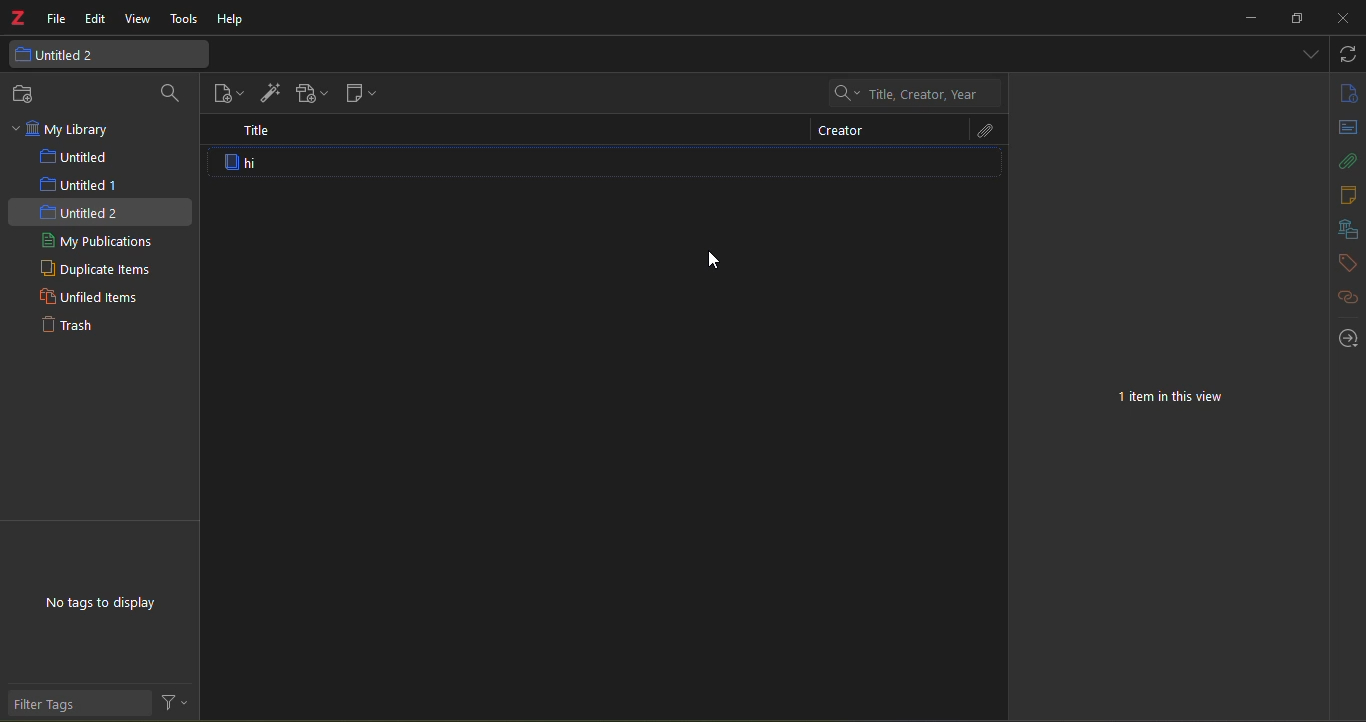 This screenshot has width=1366, height=722. What do you see at coordinates (95, 270) in the screenshot?
I see `duplicate items` at bounding box center [95, 270].